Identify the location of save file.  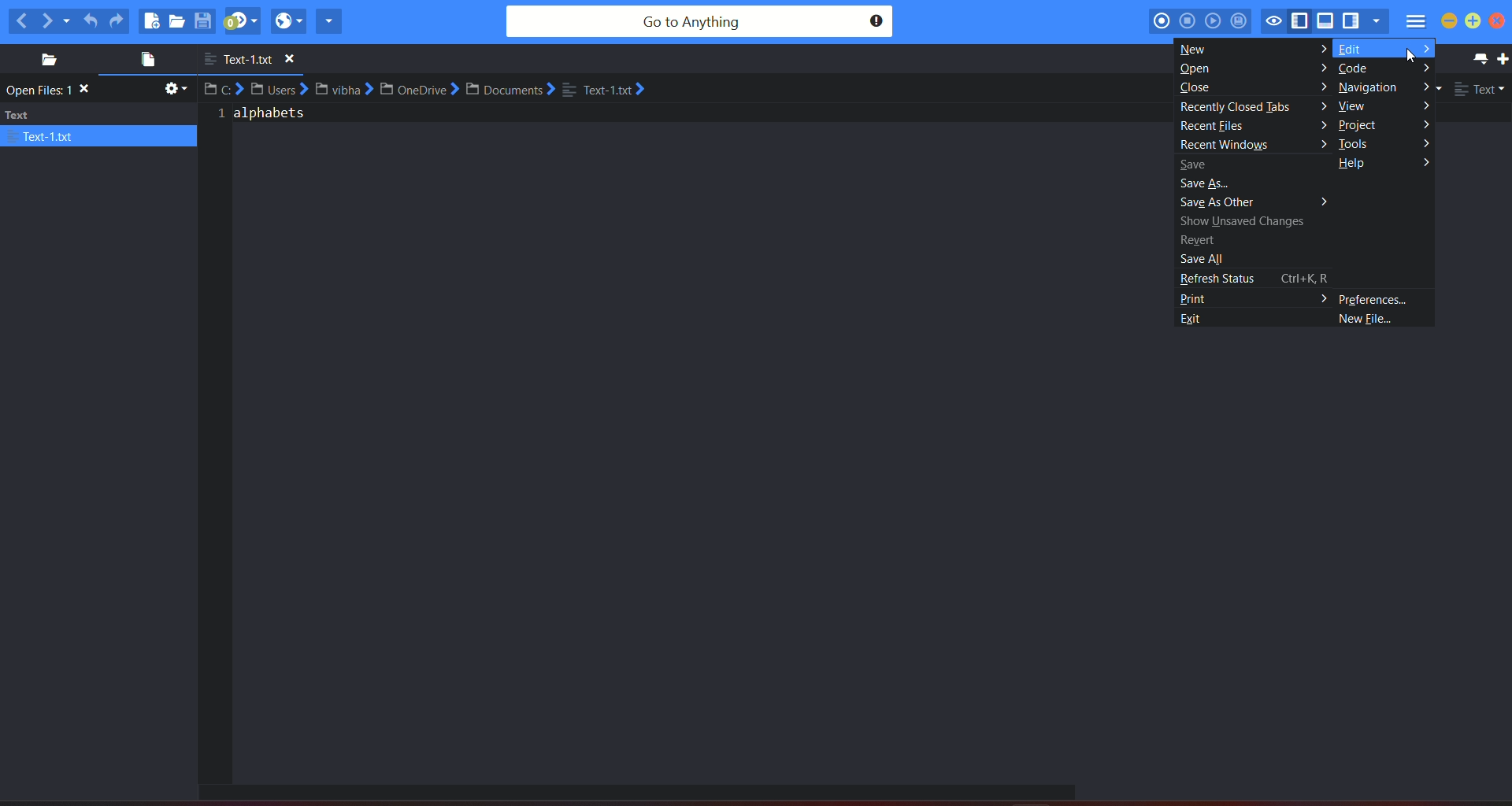
(205, 20).